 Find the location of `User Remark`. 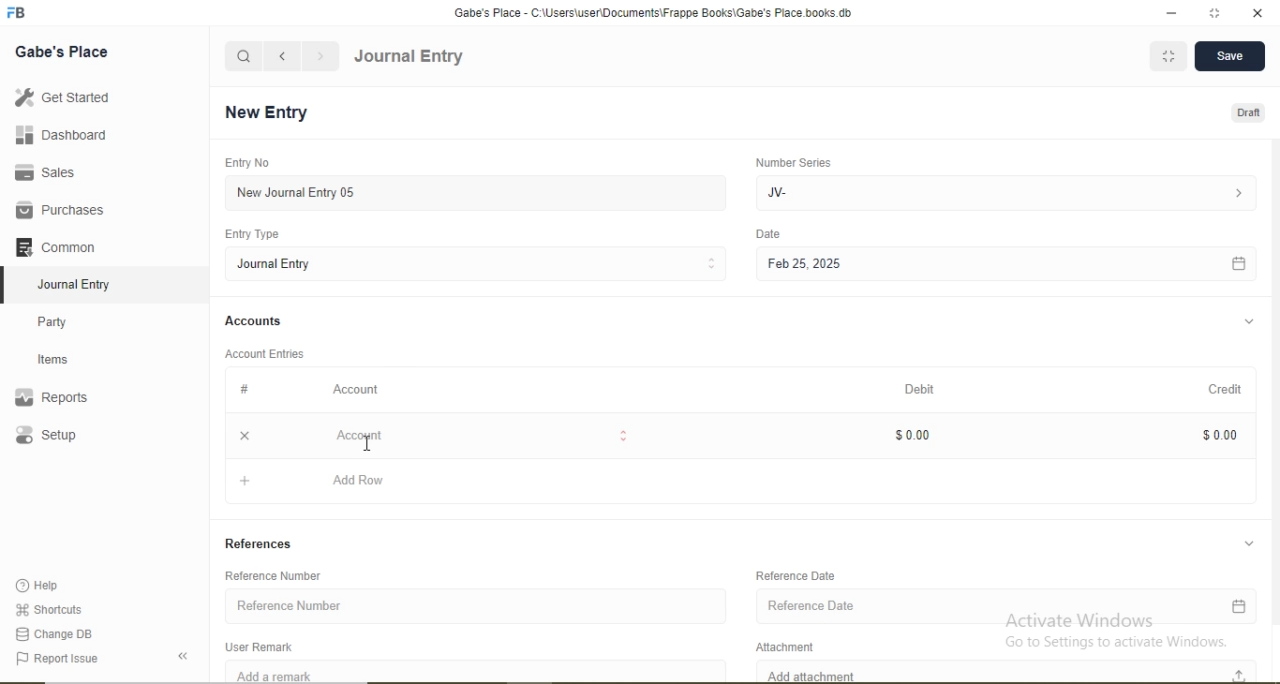

User Remark is located at coordinates (264, 645).